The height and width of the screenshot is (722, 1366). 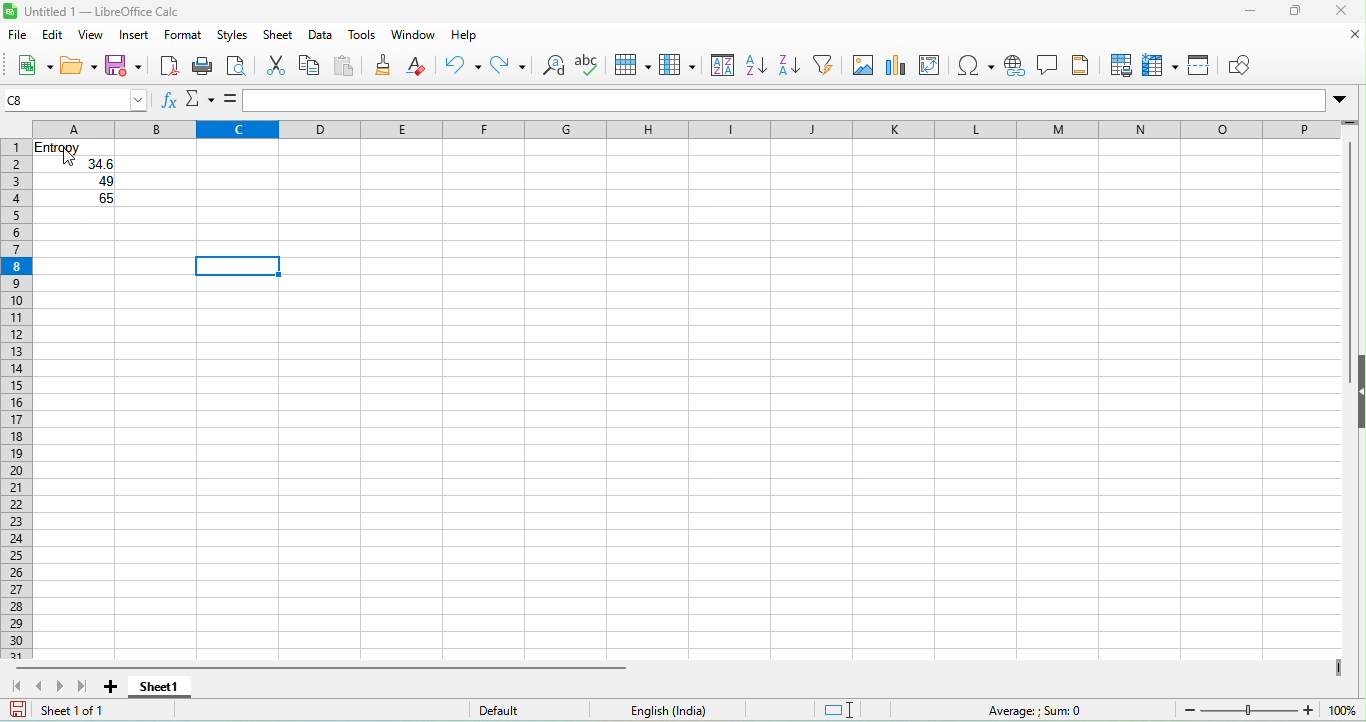 I want to click on height, so click(x=1357, y=392).